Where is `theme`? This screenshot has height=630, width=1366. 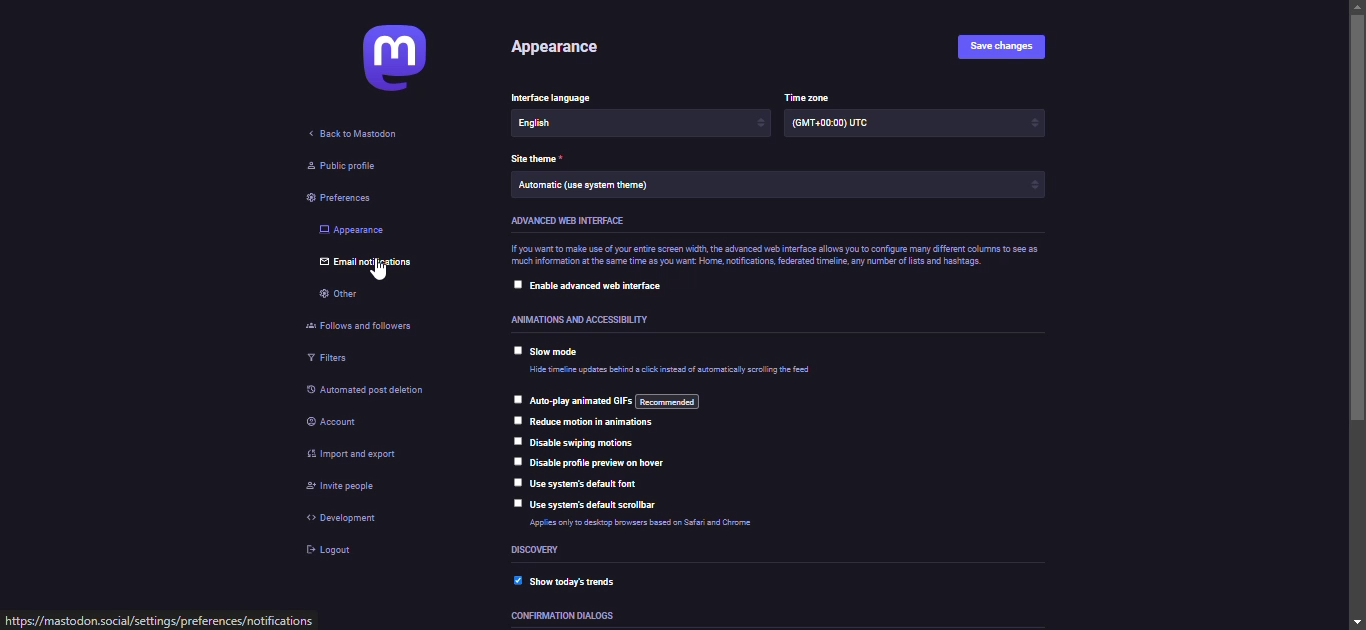 theme is located at coordinates (627, 187).